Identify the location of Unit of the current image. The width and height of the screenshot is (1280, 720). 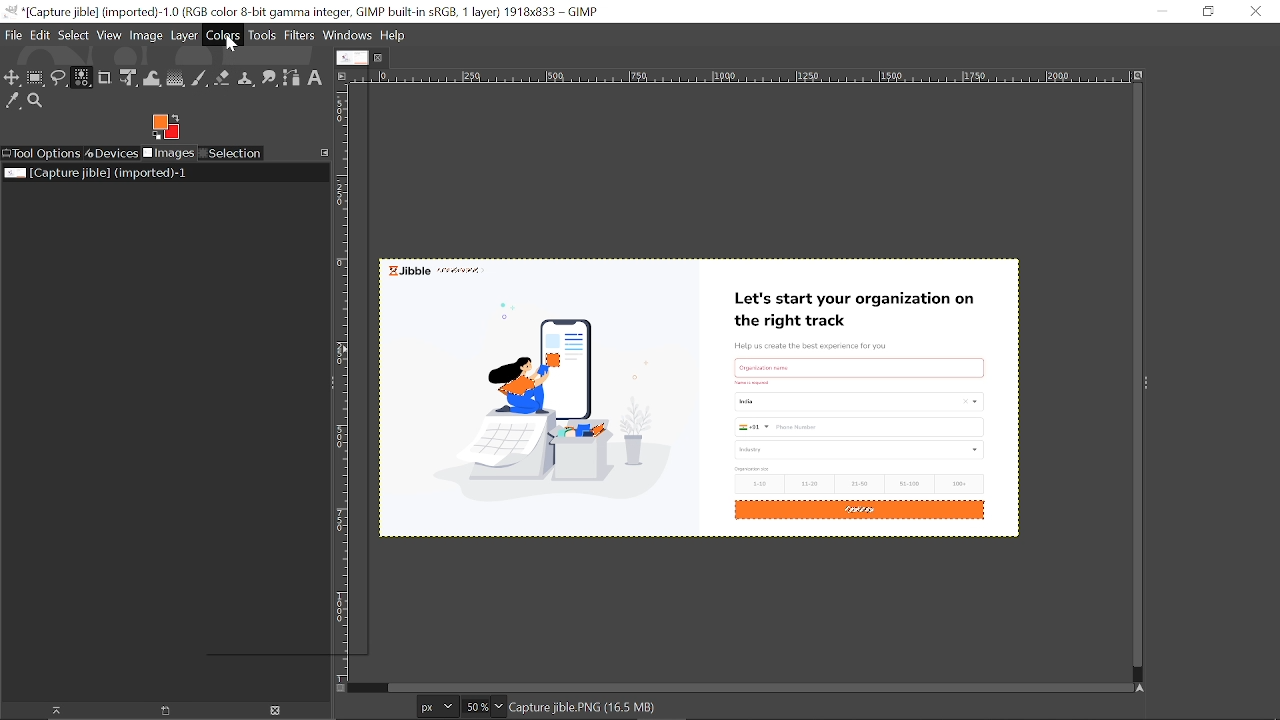
(438, 706).